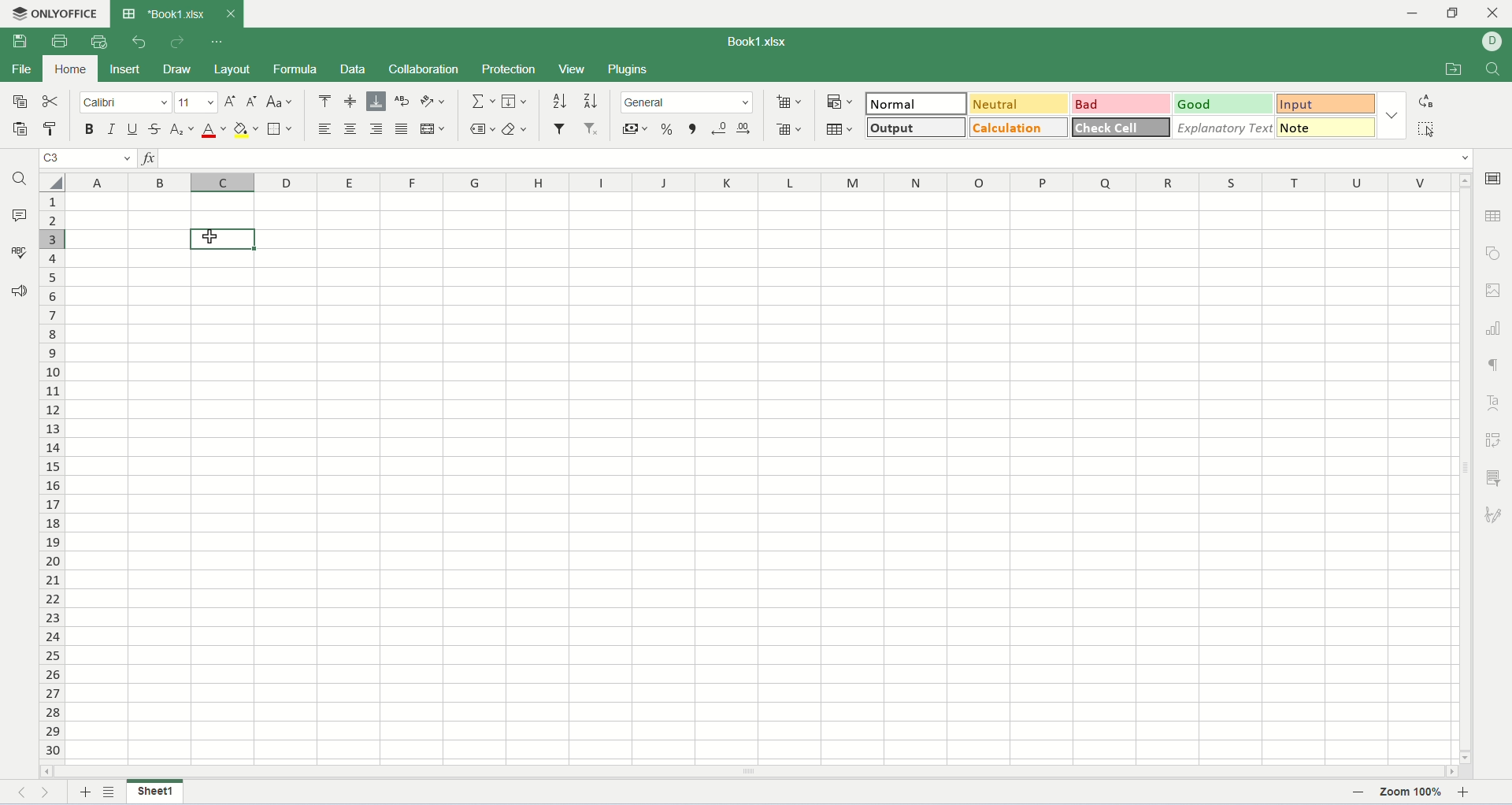 The width and height of the screenshot is (1512, 805). What do you see at coordinates (88, 158) in the screenshot?
I see `cell name` at bounding box center [88, 158].